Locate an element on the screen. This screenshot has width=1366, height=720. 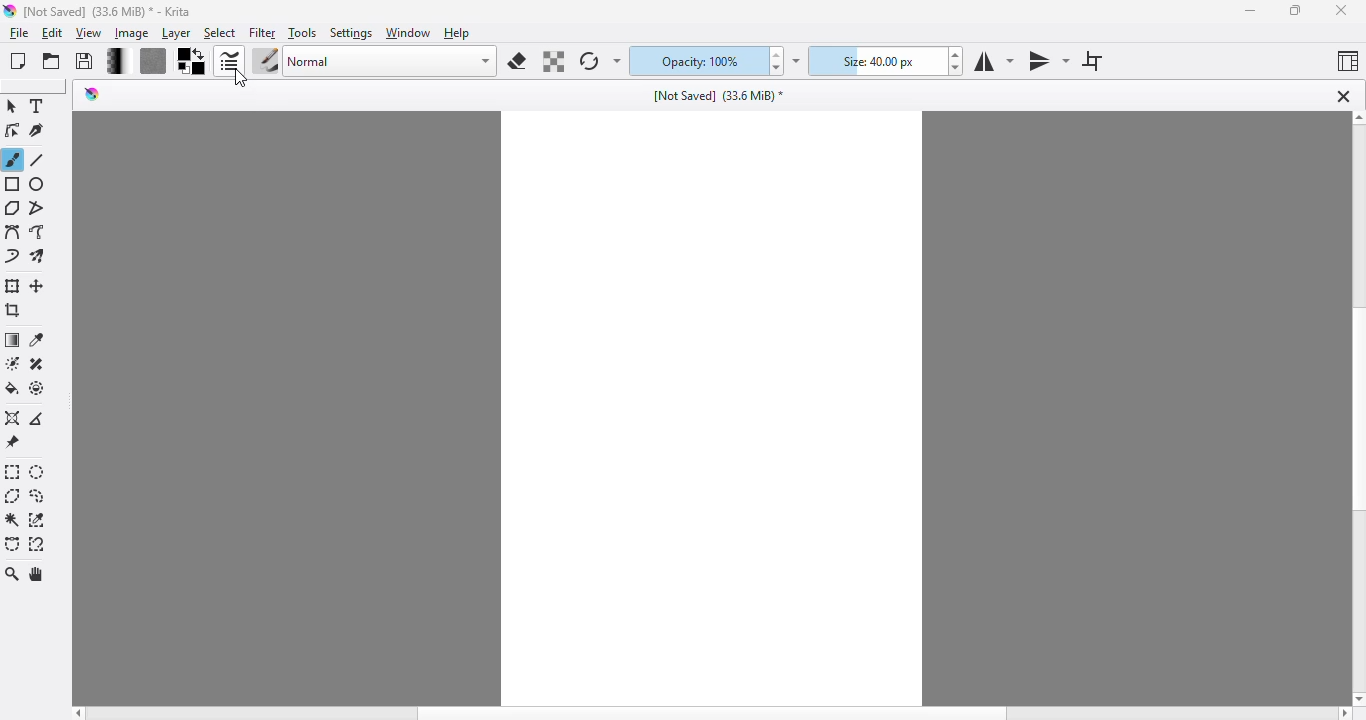
fill gradients is located at coordinates (118, 62).